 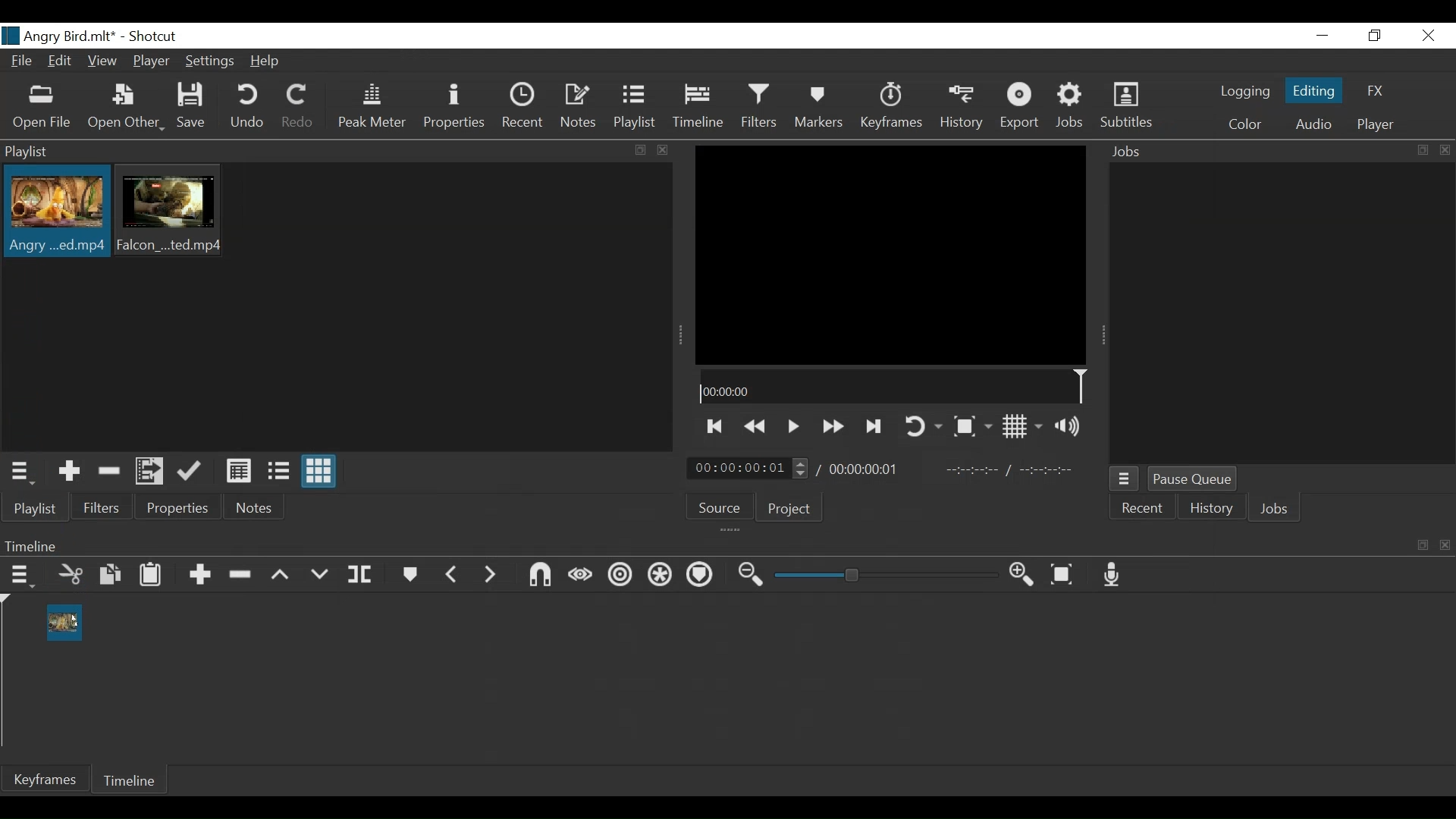 I want to click on Ripple Markers, so click(x=699, y=574).